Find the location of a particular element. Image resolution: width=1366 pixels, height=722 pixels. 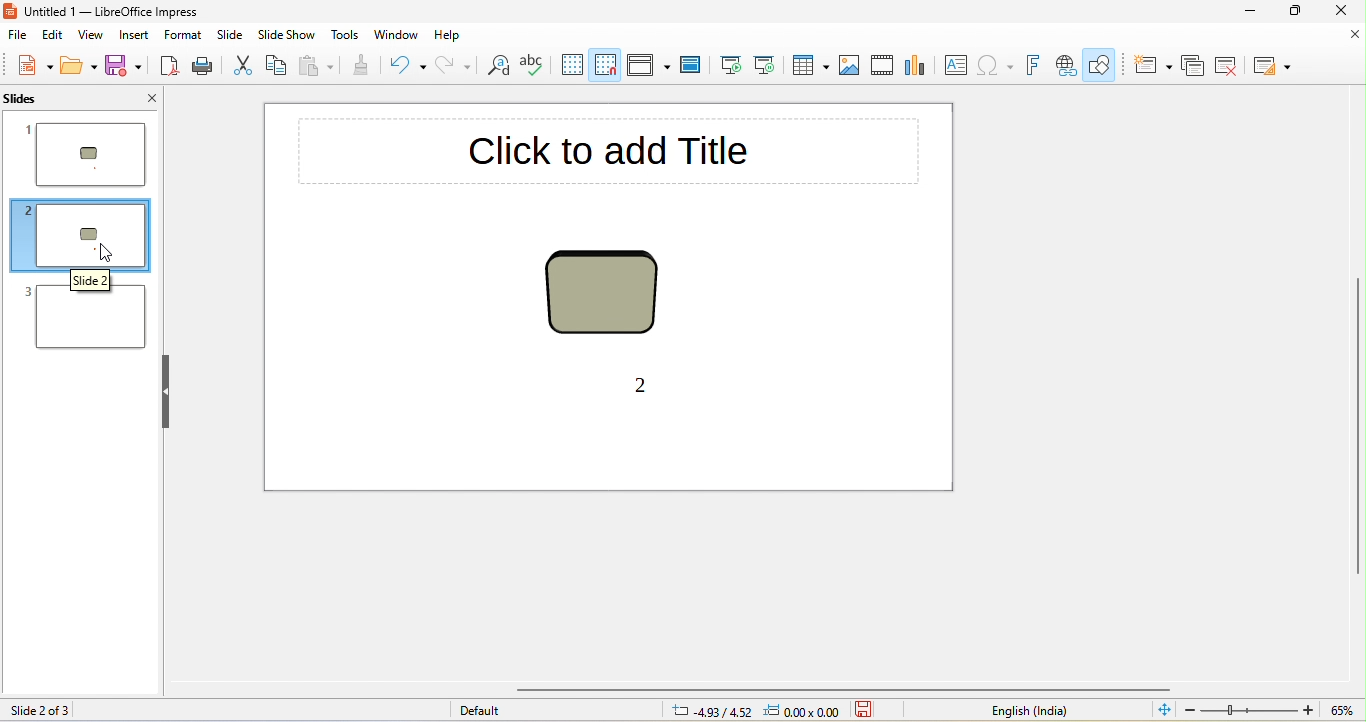

clone formatting is located at coordinates (364, 68).